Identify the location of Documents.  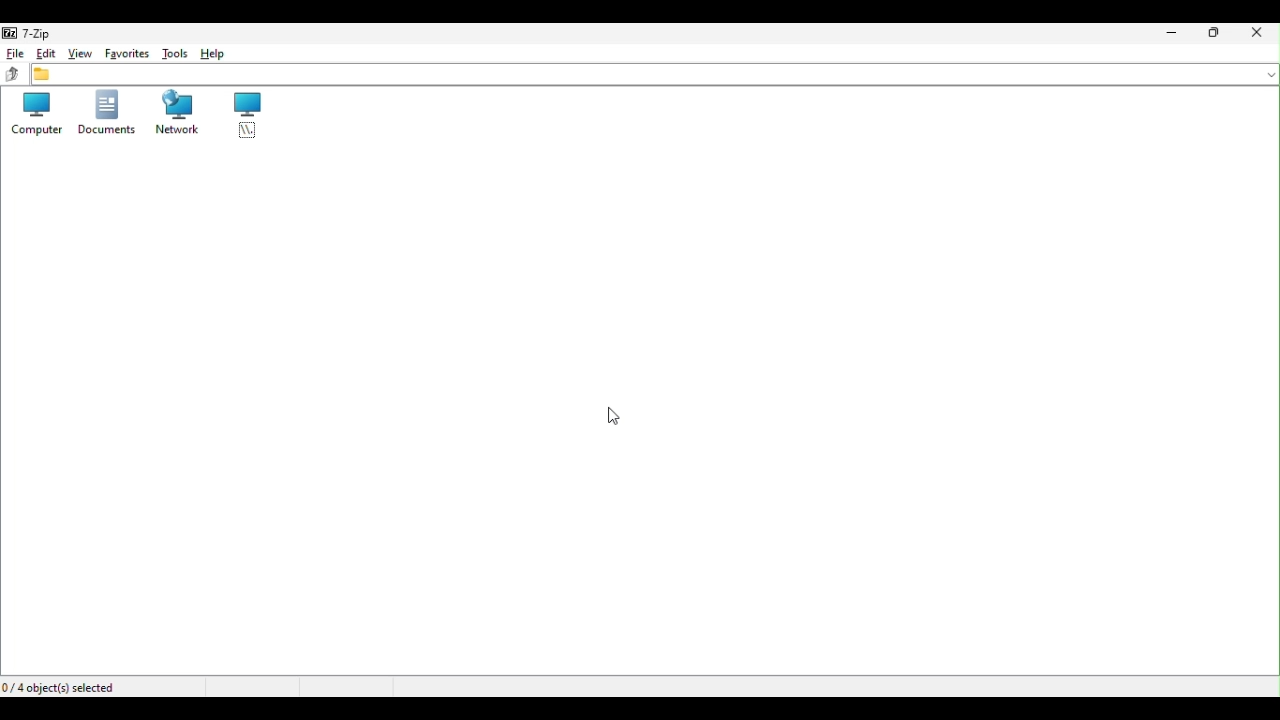
(105, 112).